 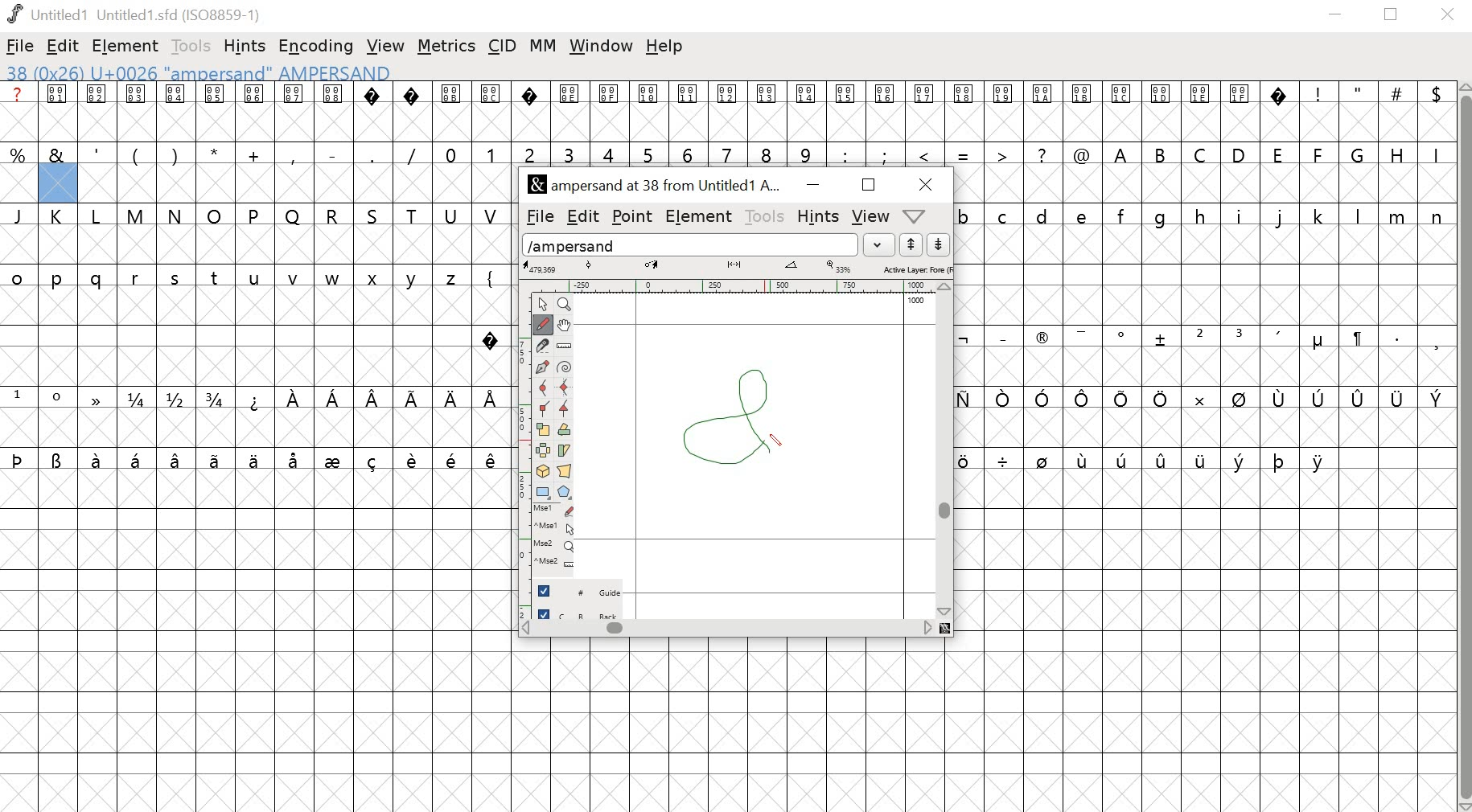 I want to click on %, so click(x=19, y=154).